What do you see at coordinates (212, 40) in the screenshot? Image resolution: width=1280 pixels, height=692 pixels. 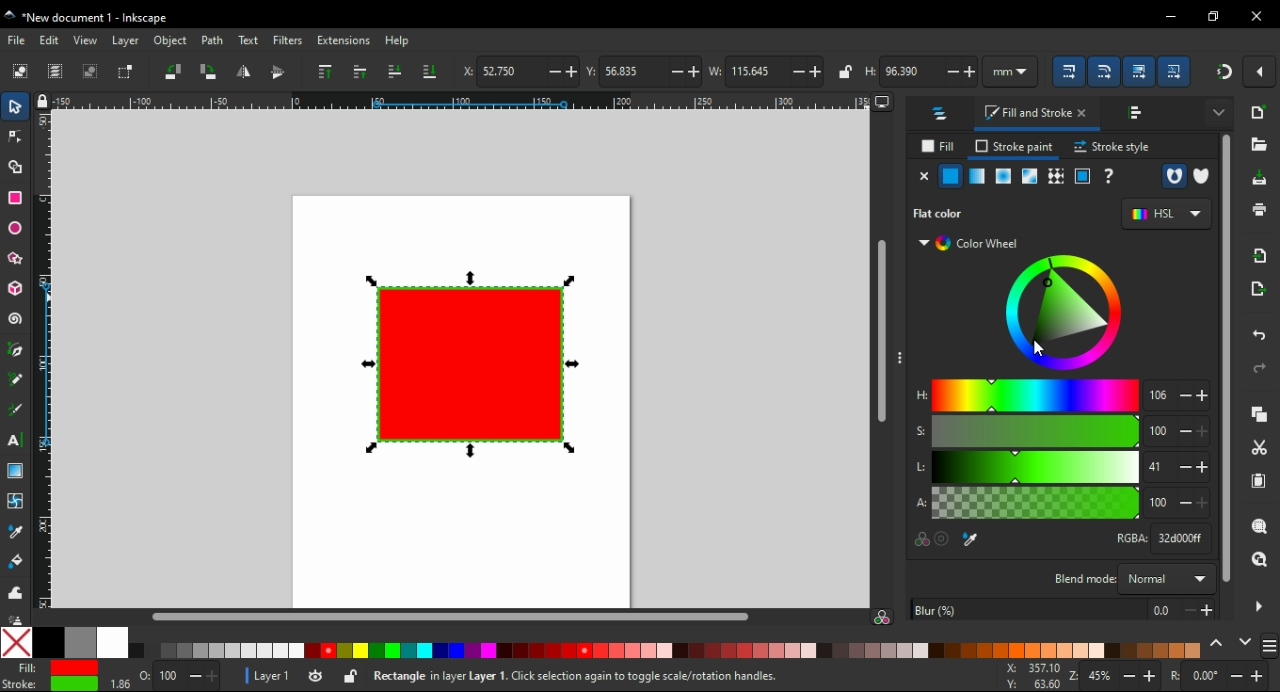 I see `path` at bounding box center [212, 40].